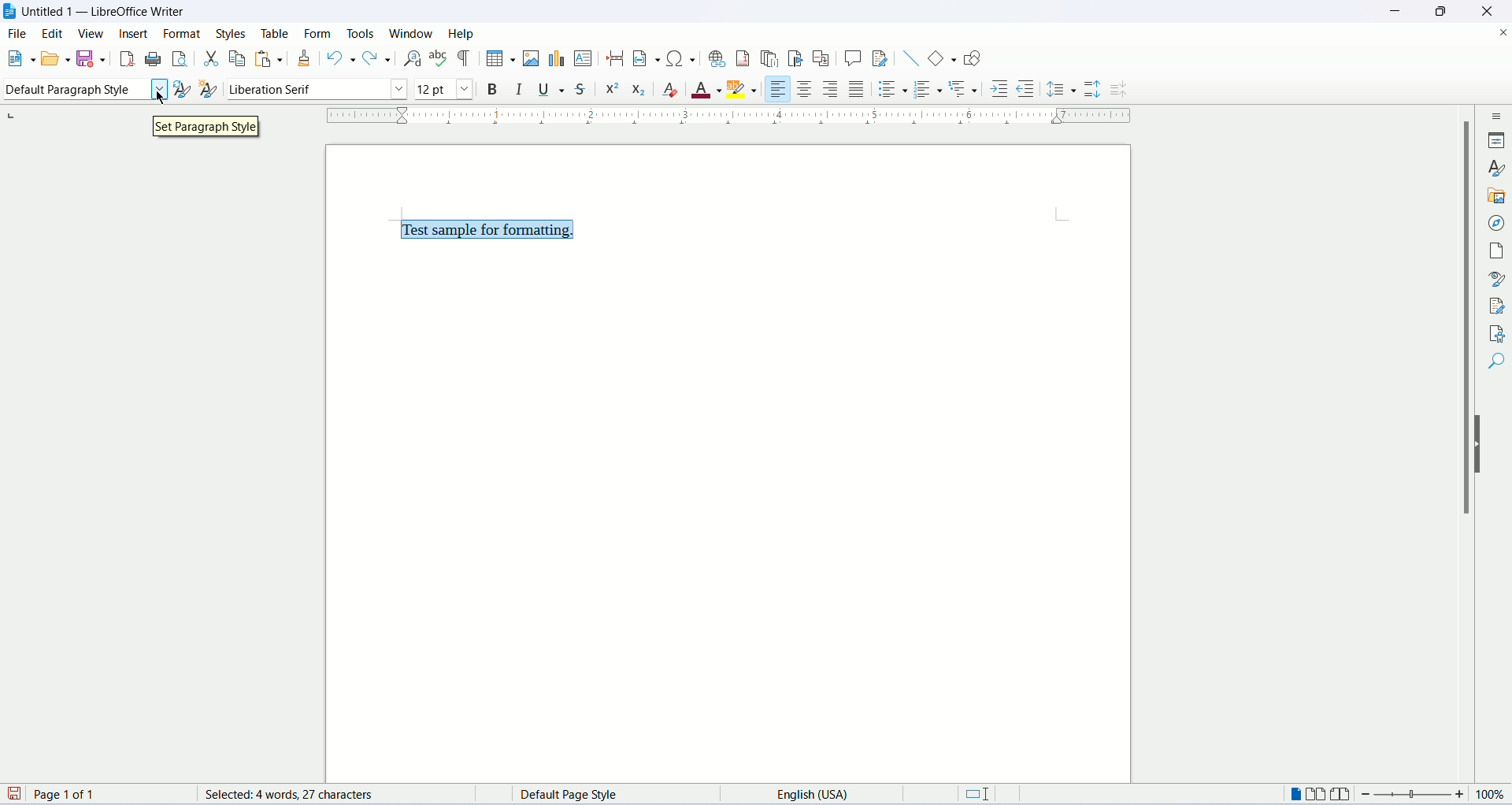  Describe the element at coordinates (92, 33) in the screenshot. I see `view` at that location.